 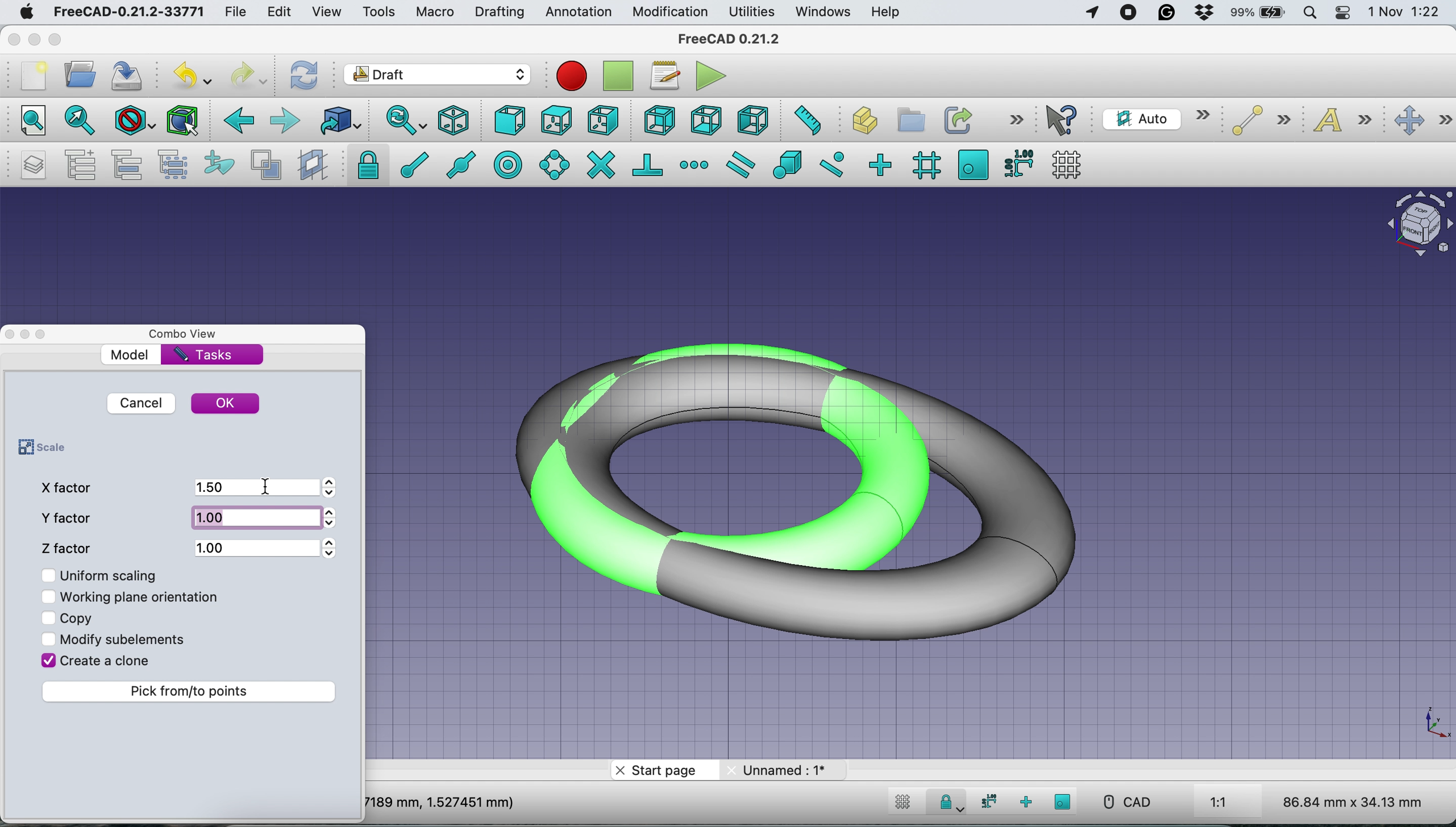 I want to click on 1.00, so click(x=253, y=517).